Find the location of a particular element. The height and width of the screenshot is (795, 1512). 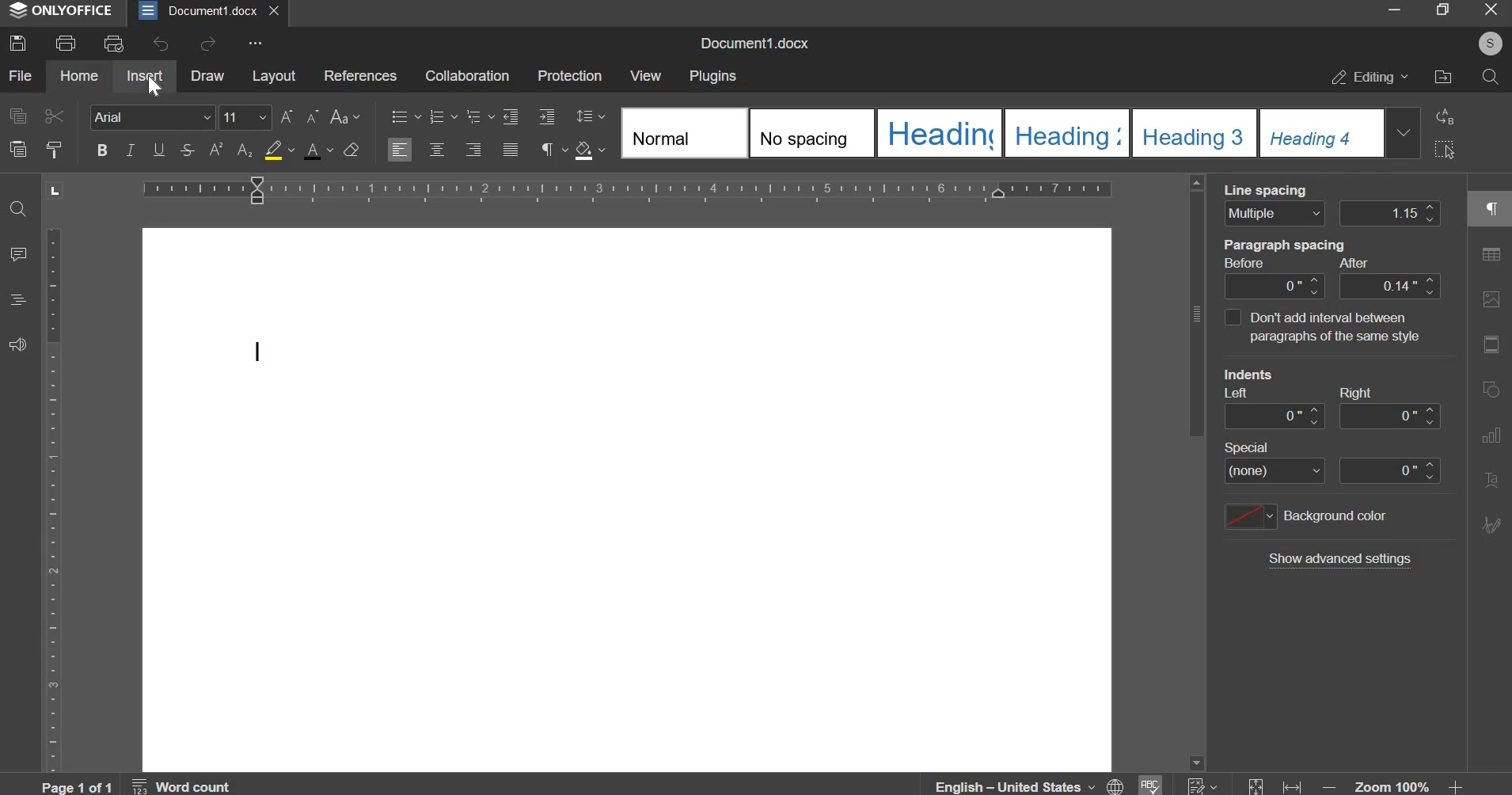

document is located at coordinates (627, 501).